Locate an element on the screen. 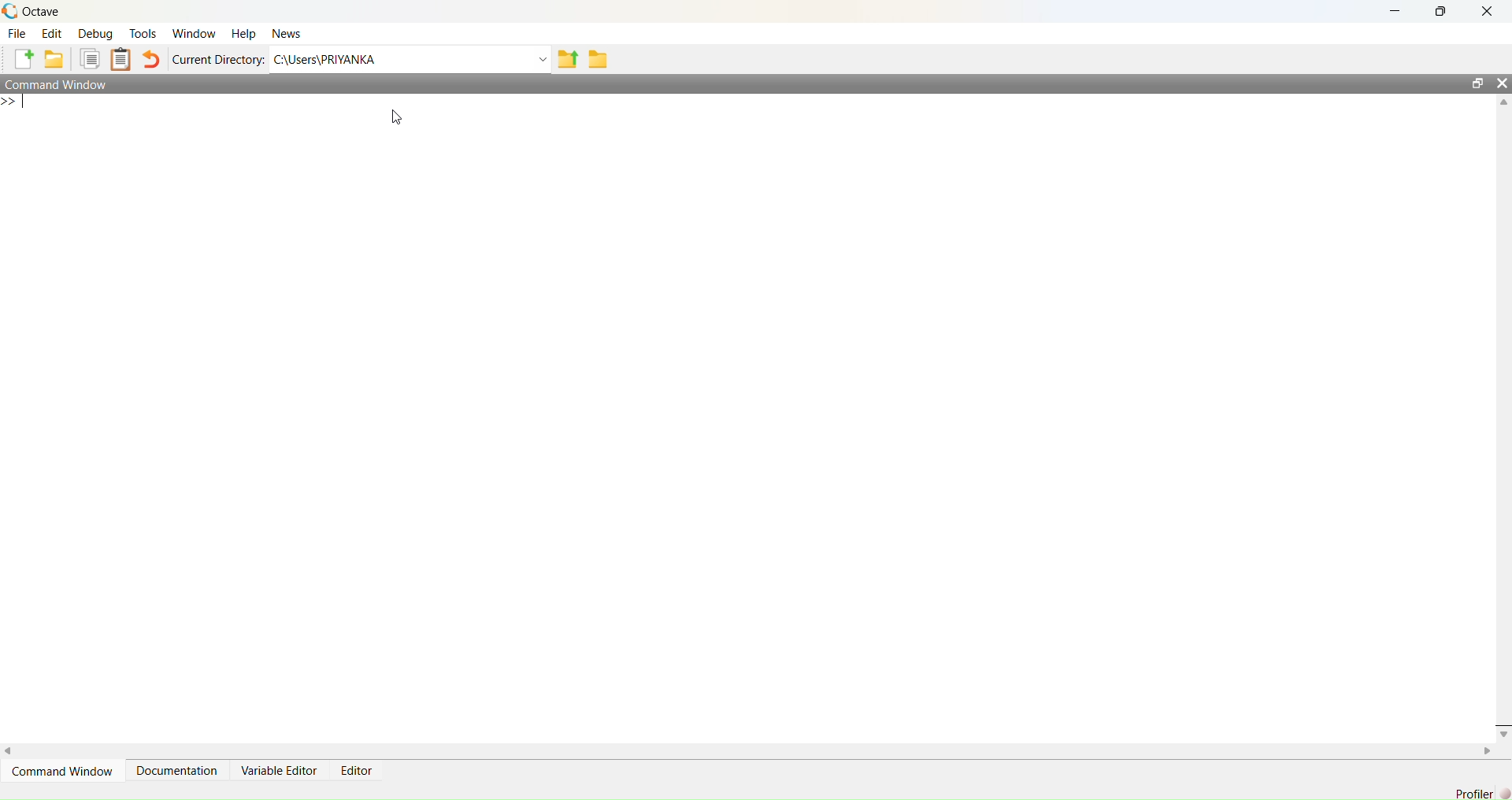 This screenshot has width=1512, height=800. Paste is located at coordinates (122, 60).